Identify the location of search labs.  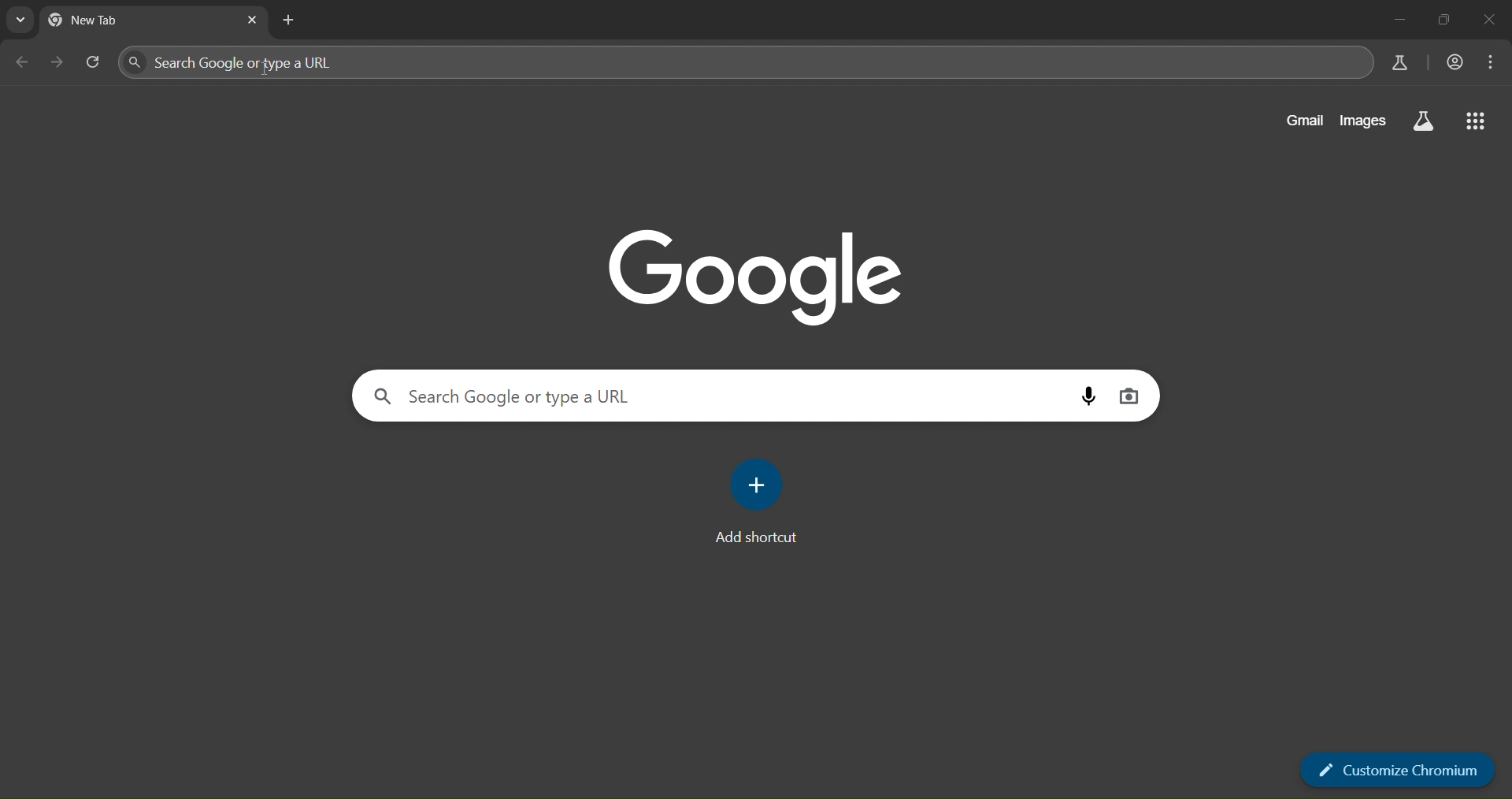
(1395, 63).